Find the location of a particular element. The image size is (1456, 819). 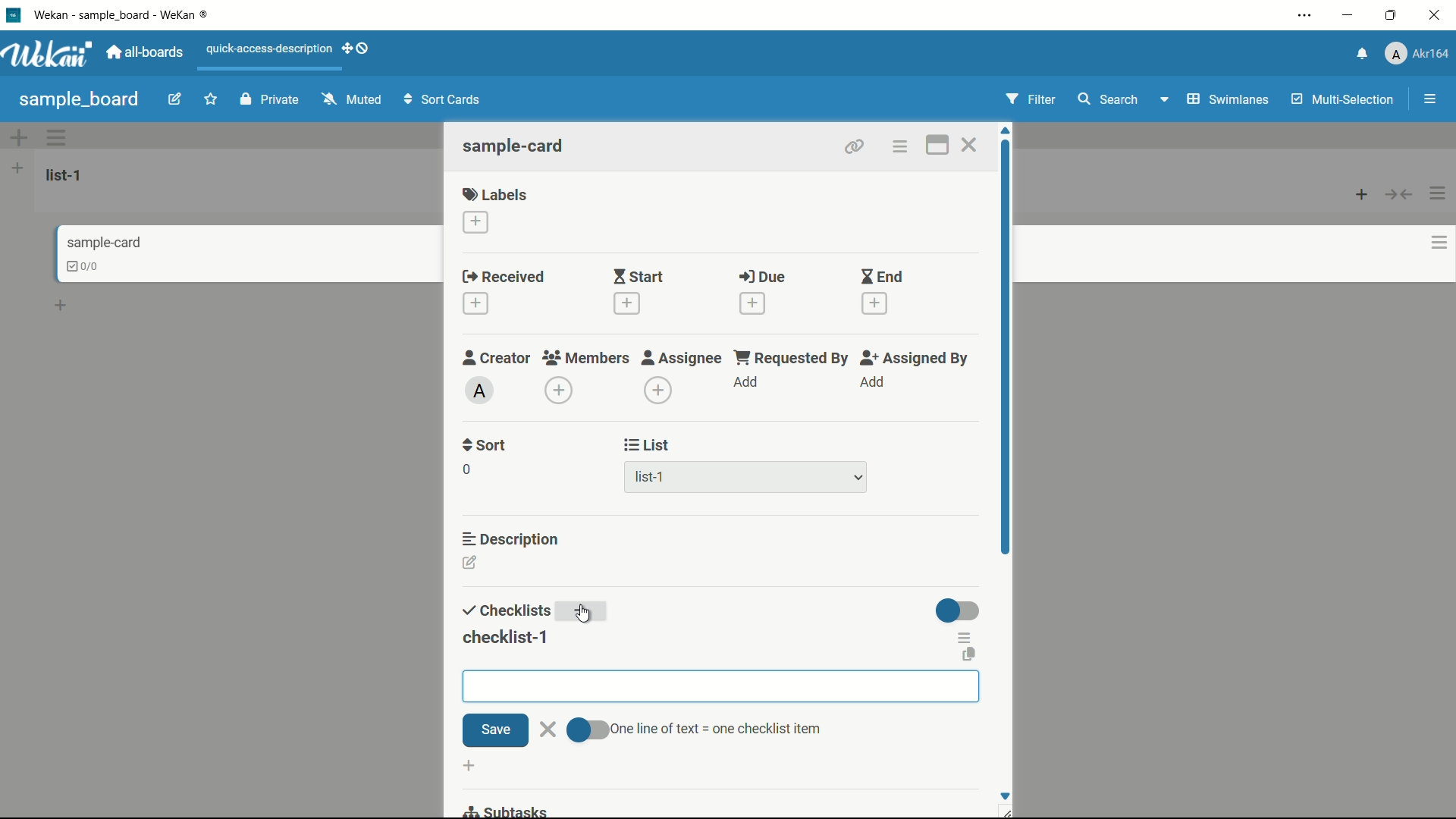

list is located at coordinates (648, 445).